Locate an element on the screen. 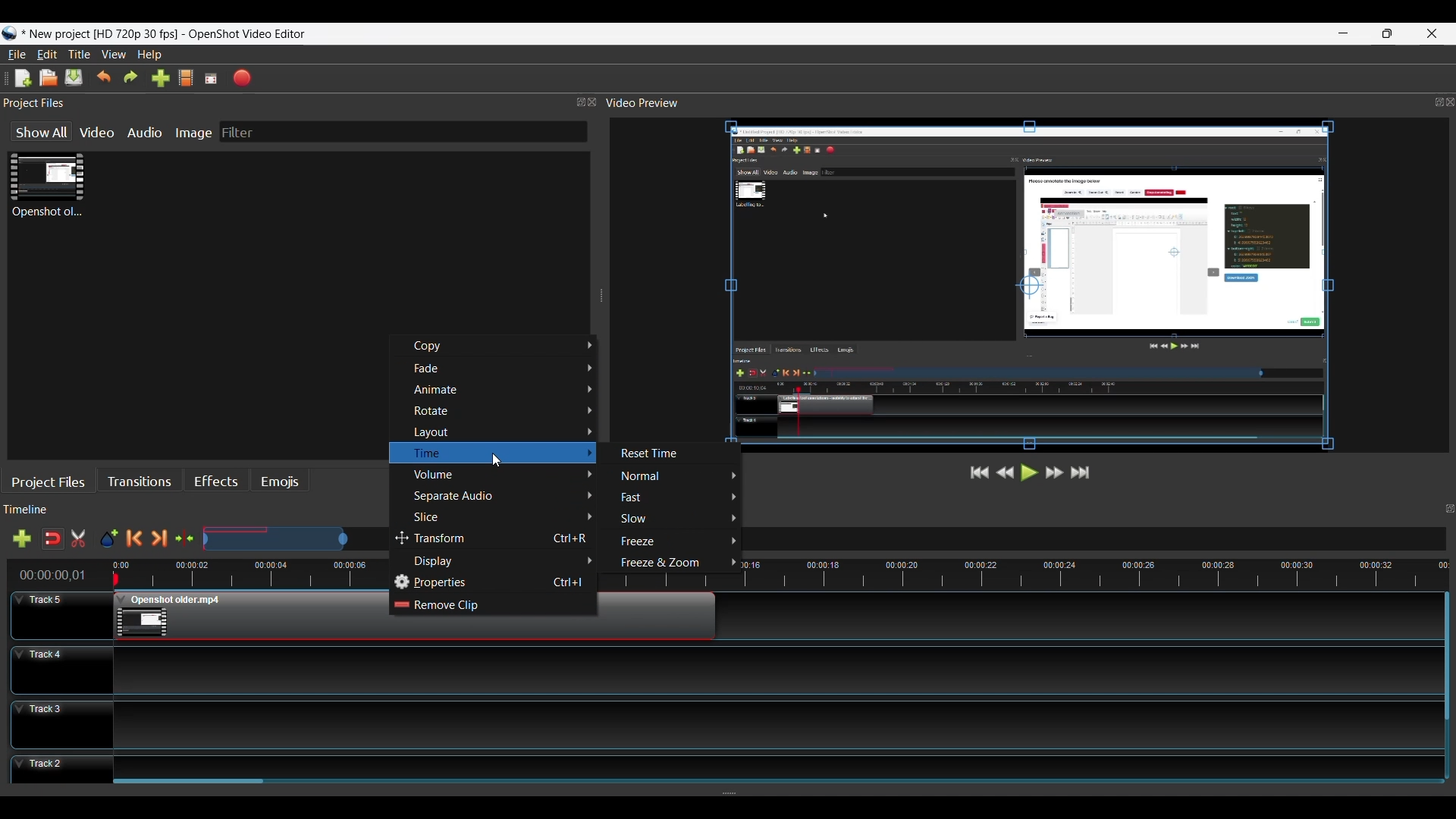 The height and width of the screenshot is (819, 1456). Video Preview Panel is located at coordinates (1029, 103).